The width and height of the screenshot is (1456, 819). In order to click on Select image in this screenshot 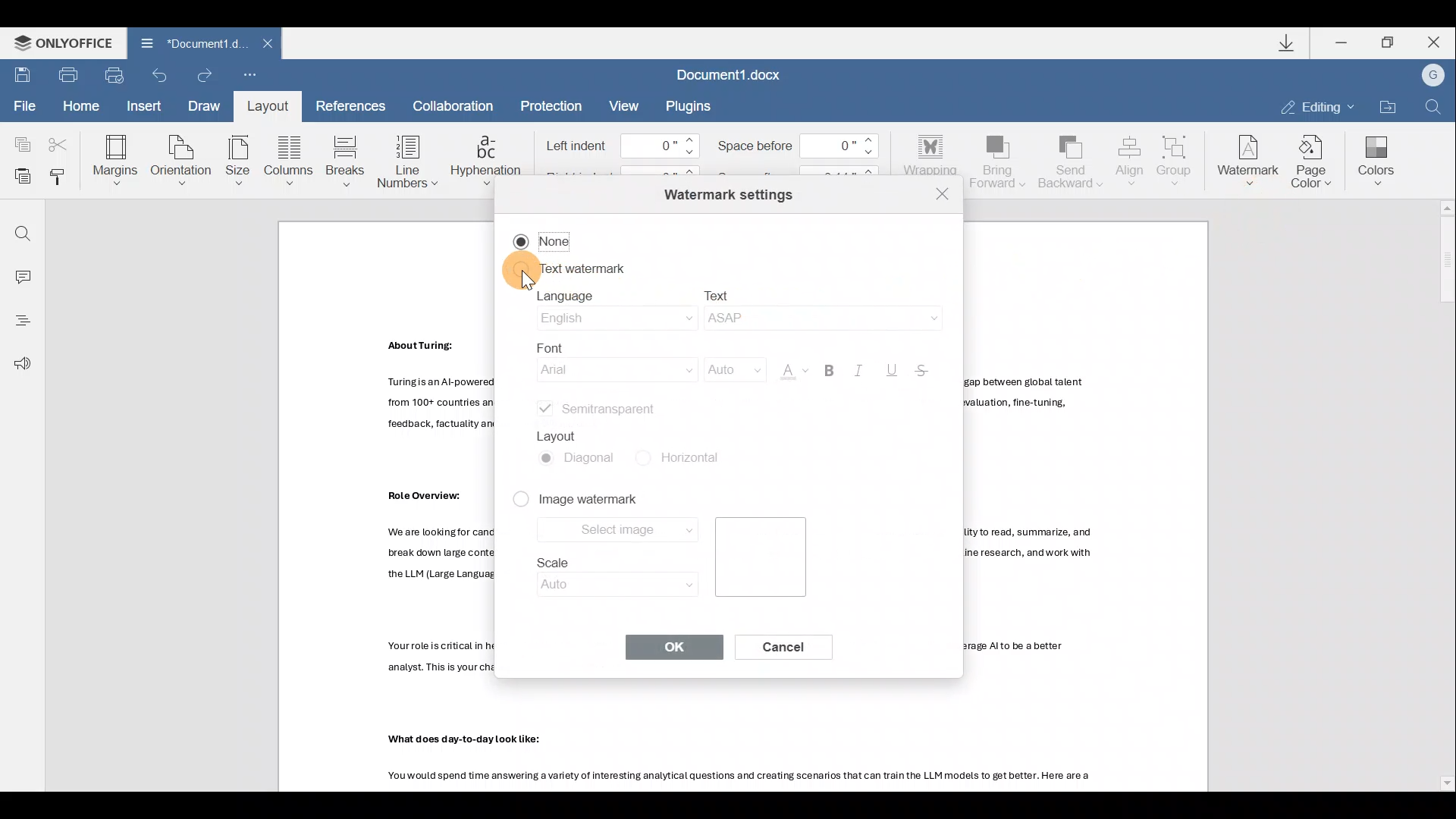, I will do `click(616, 532)`.